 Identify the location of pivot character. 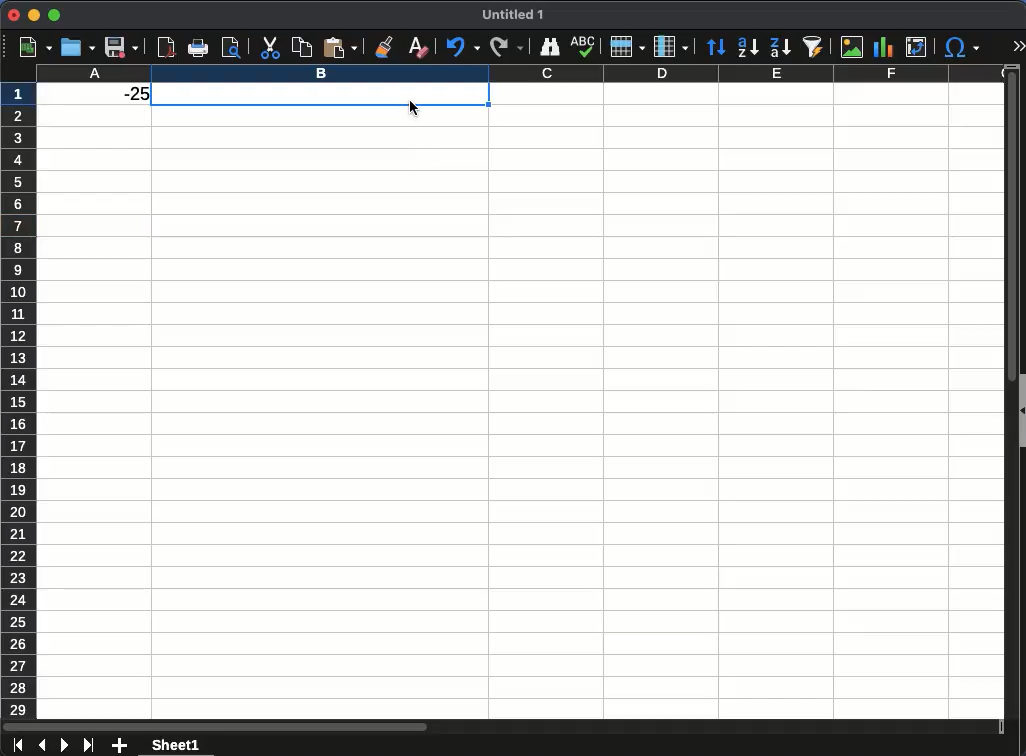
(918, 44).